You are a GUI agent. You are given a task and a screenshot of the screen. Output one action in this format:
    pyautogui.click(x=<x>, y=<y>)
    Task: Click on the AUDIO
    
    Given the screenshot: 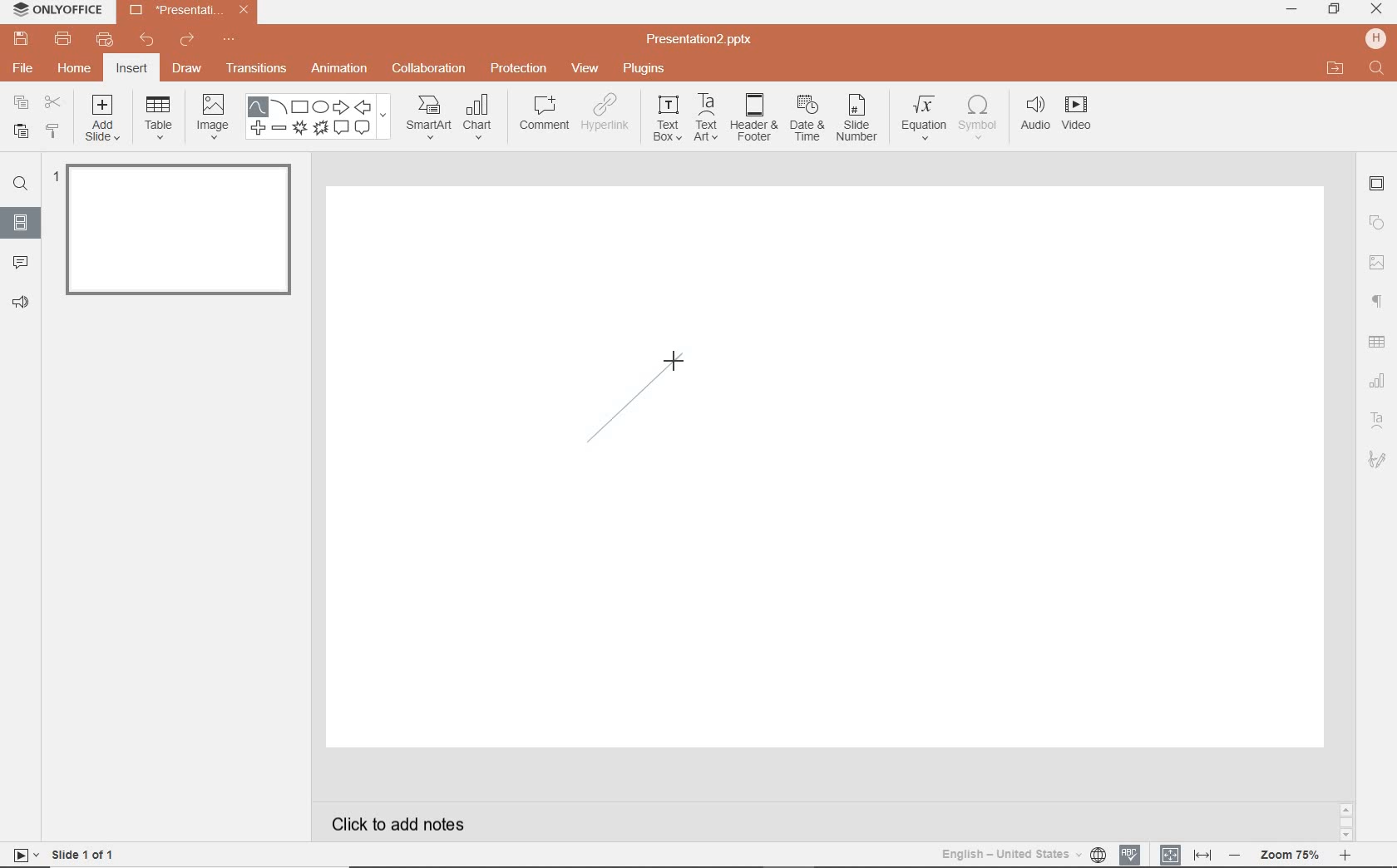 What is the action you would take?
    pyautogui.click(x=1036, y=114)
    